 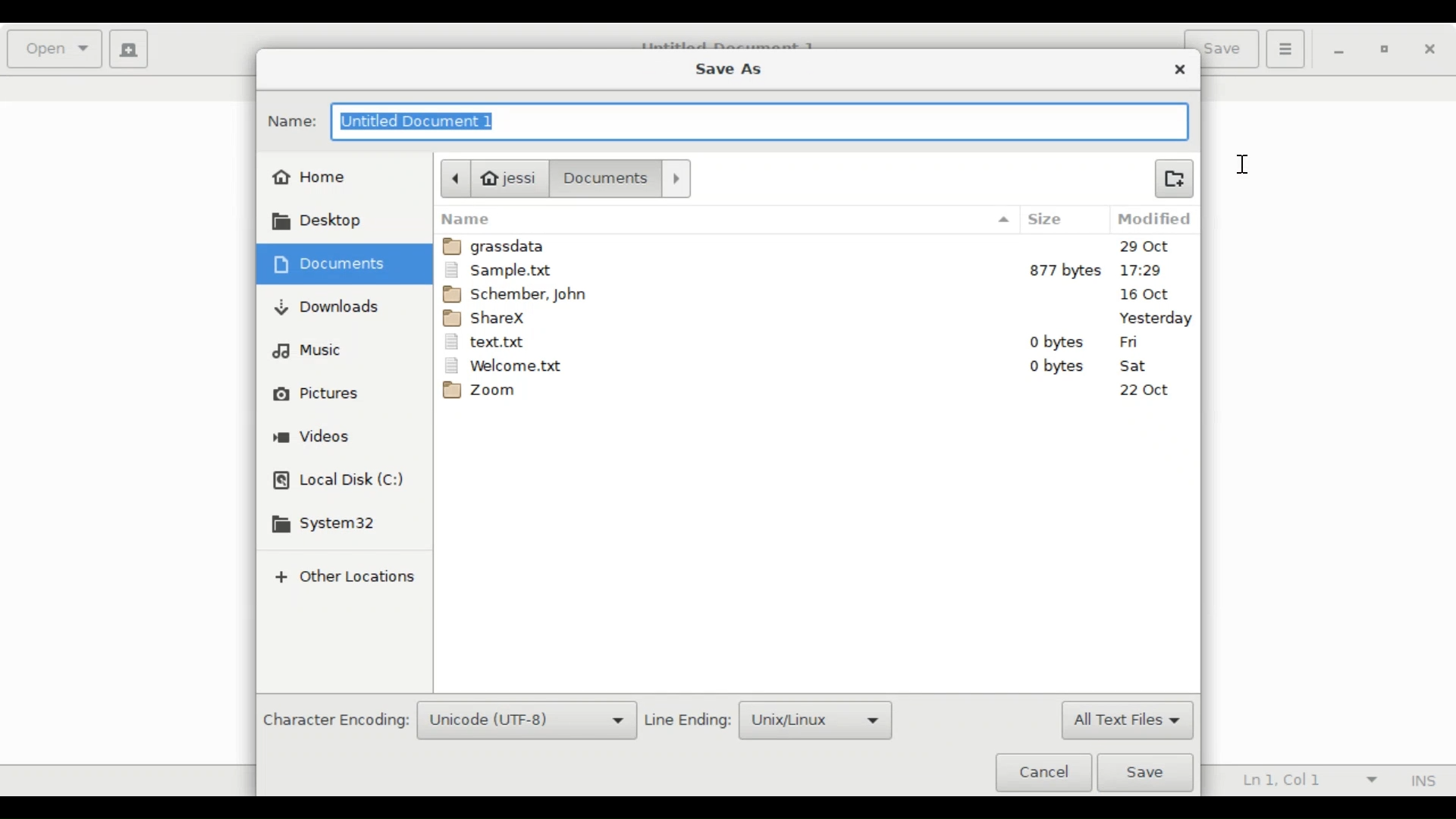 I want to click on Restore, so click(x=1386, y=52).